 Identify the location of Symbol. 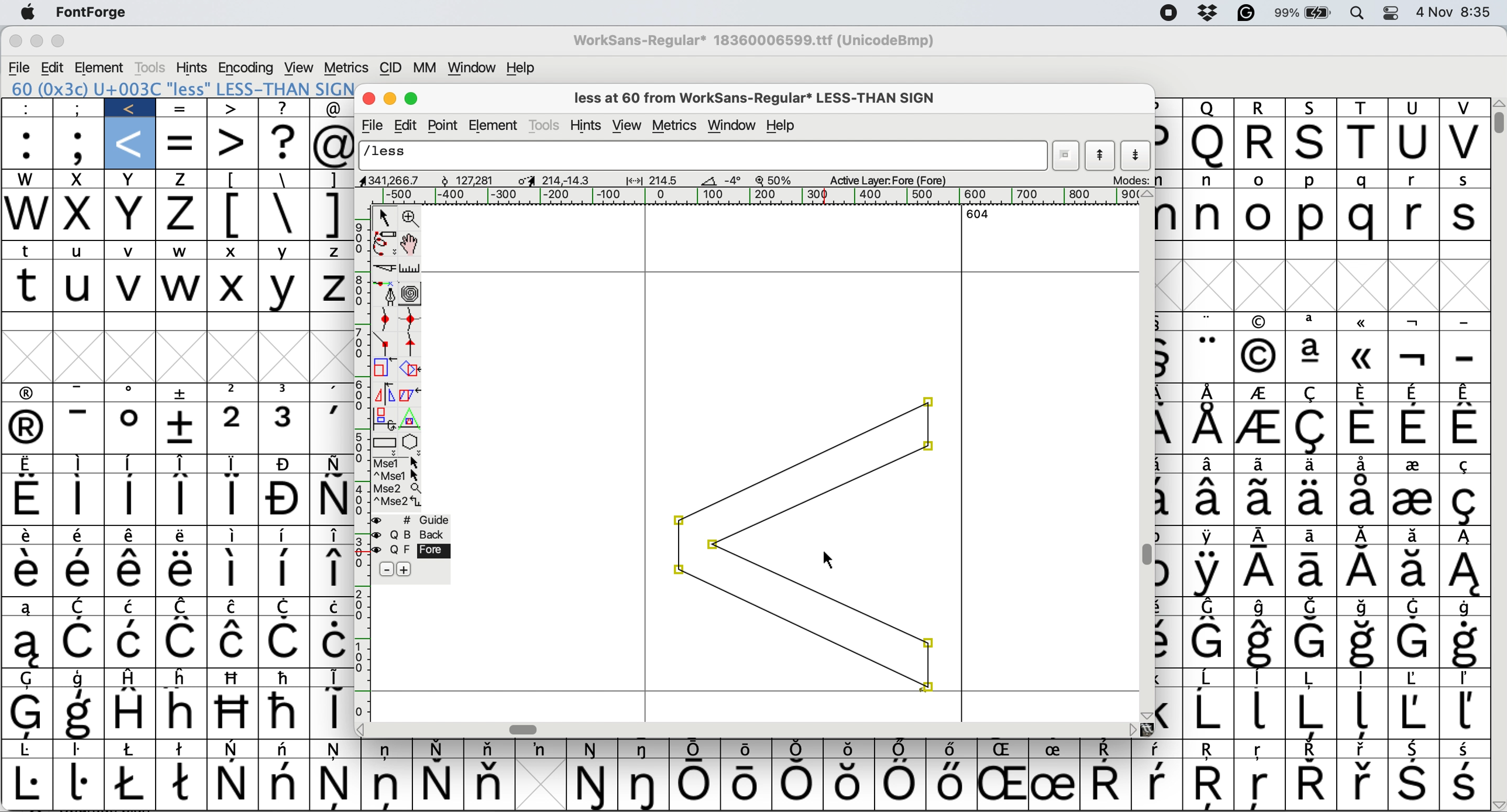
(1260, 463).